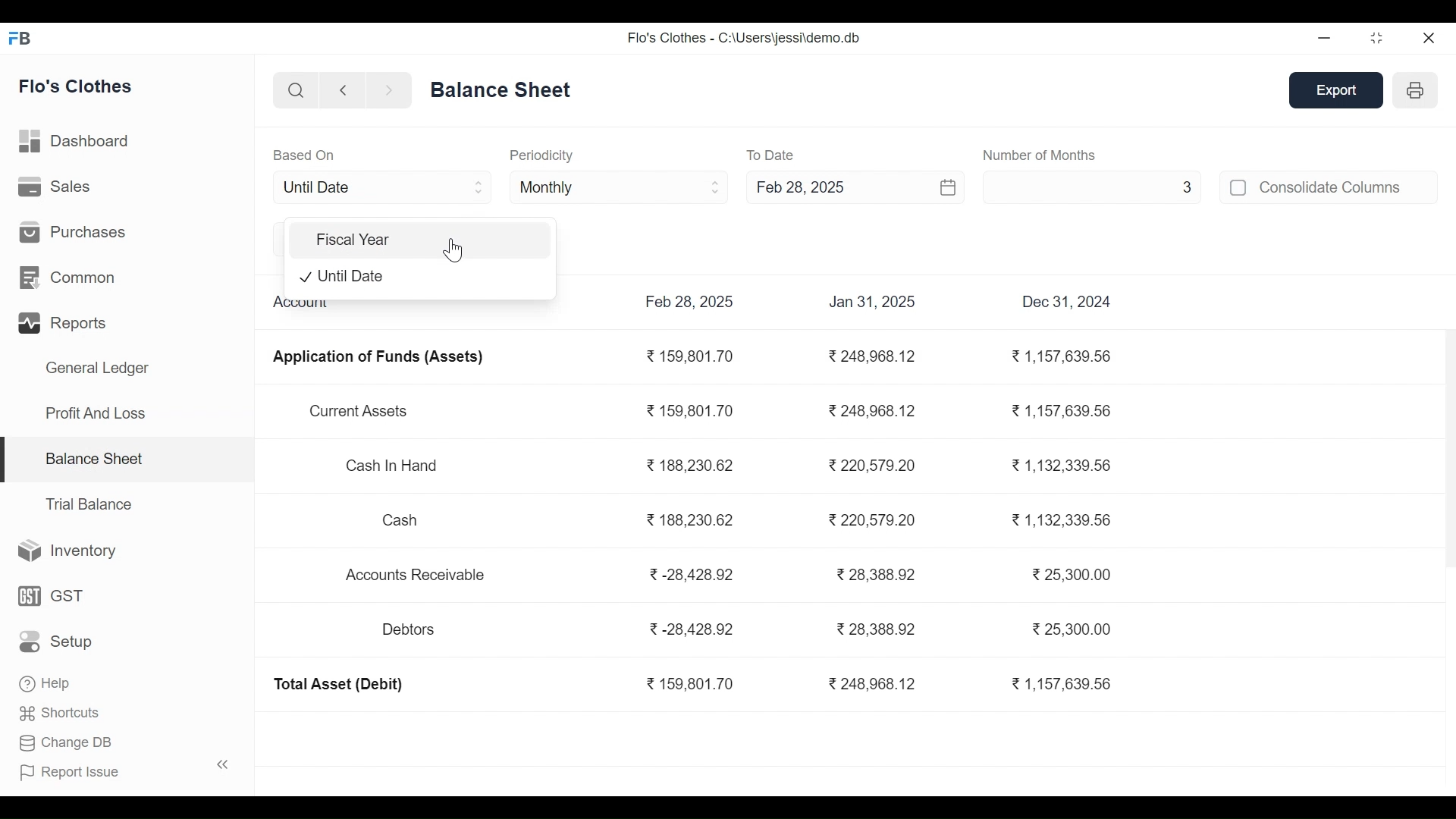 This screenshot has width=1456, height=819. What do you see at coordinates (20, 37) in the screenshot?
I see `FB logo` at bounding box center [20, 37].